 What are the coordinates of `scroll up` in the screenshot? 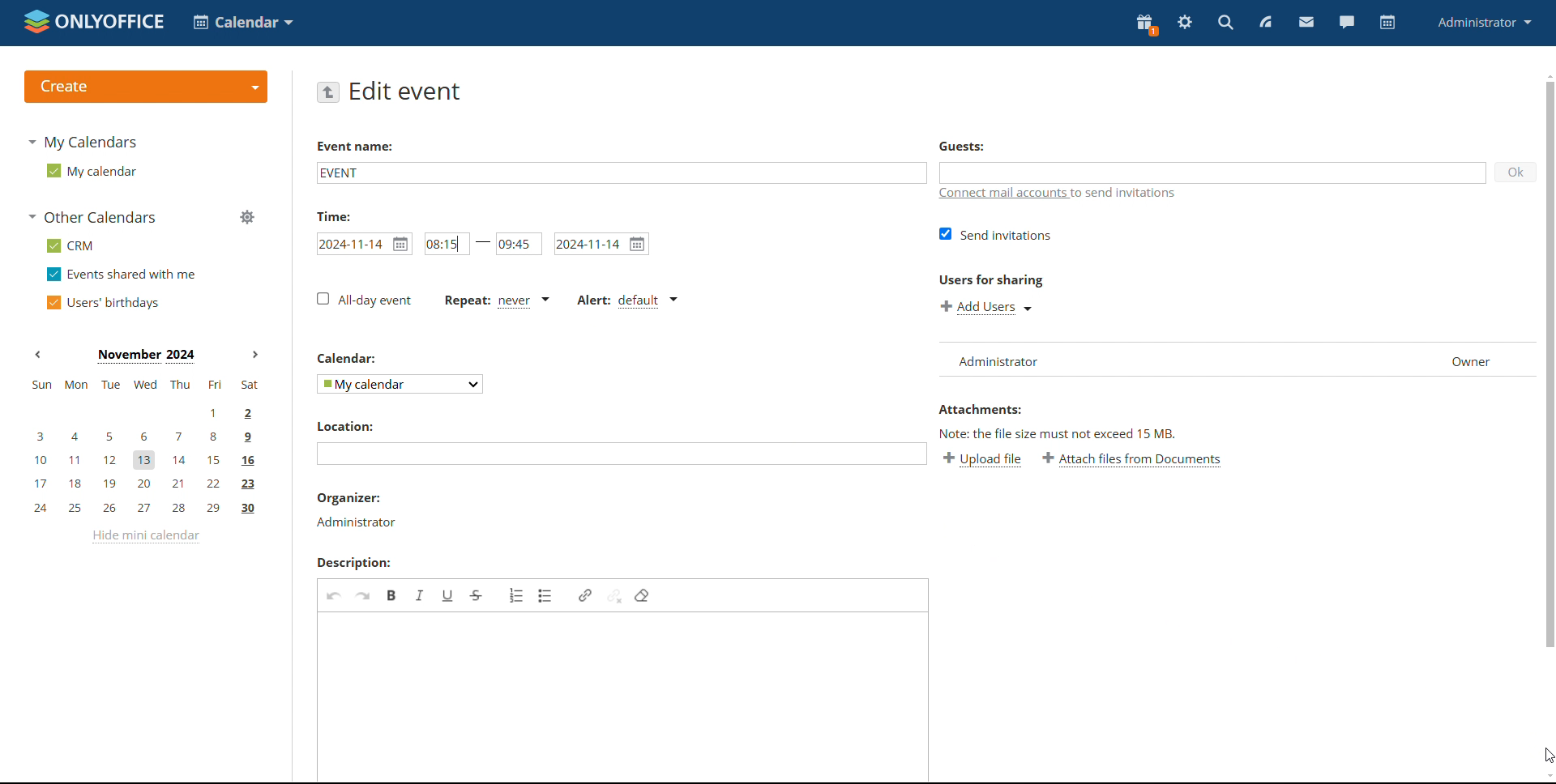 It's located at (1546, 76).